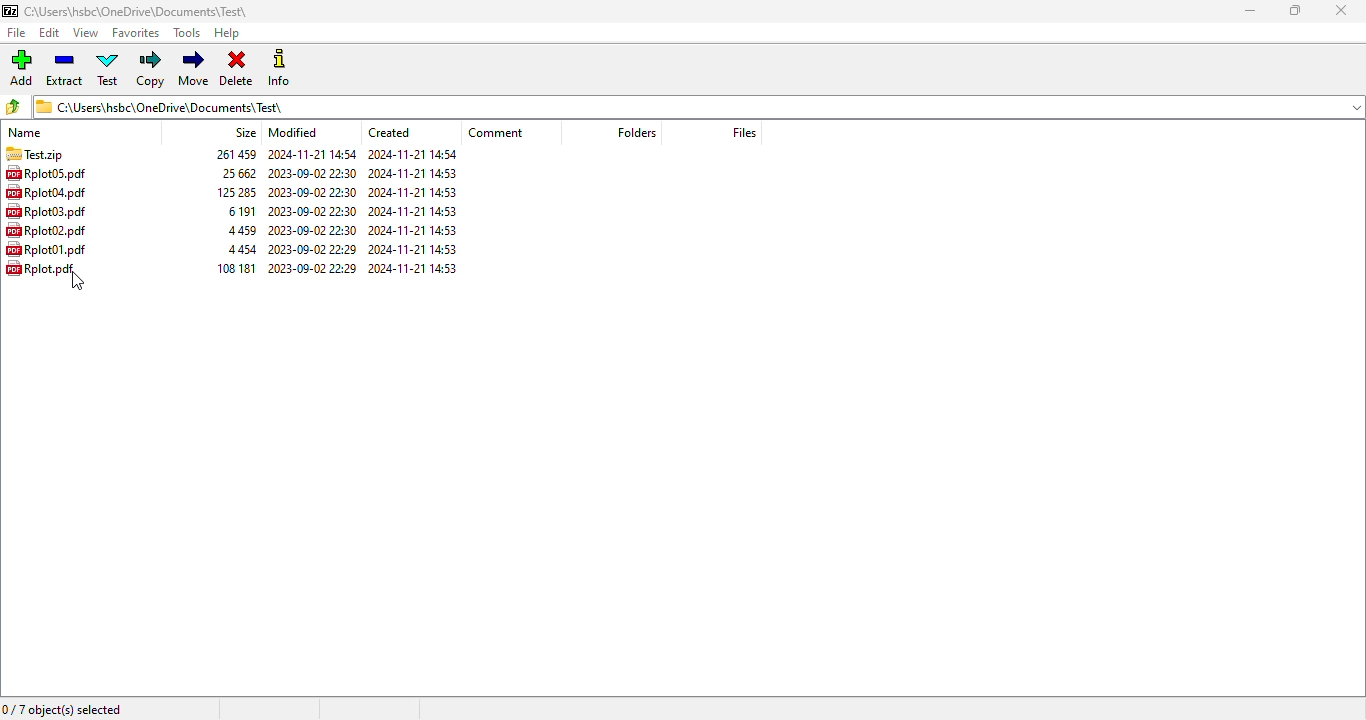 The image size is (1366, 720). Describe the element at coordinates (52, 191) in the screenshot. I see ` Rplot04,pdf` at that location.